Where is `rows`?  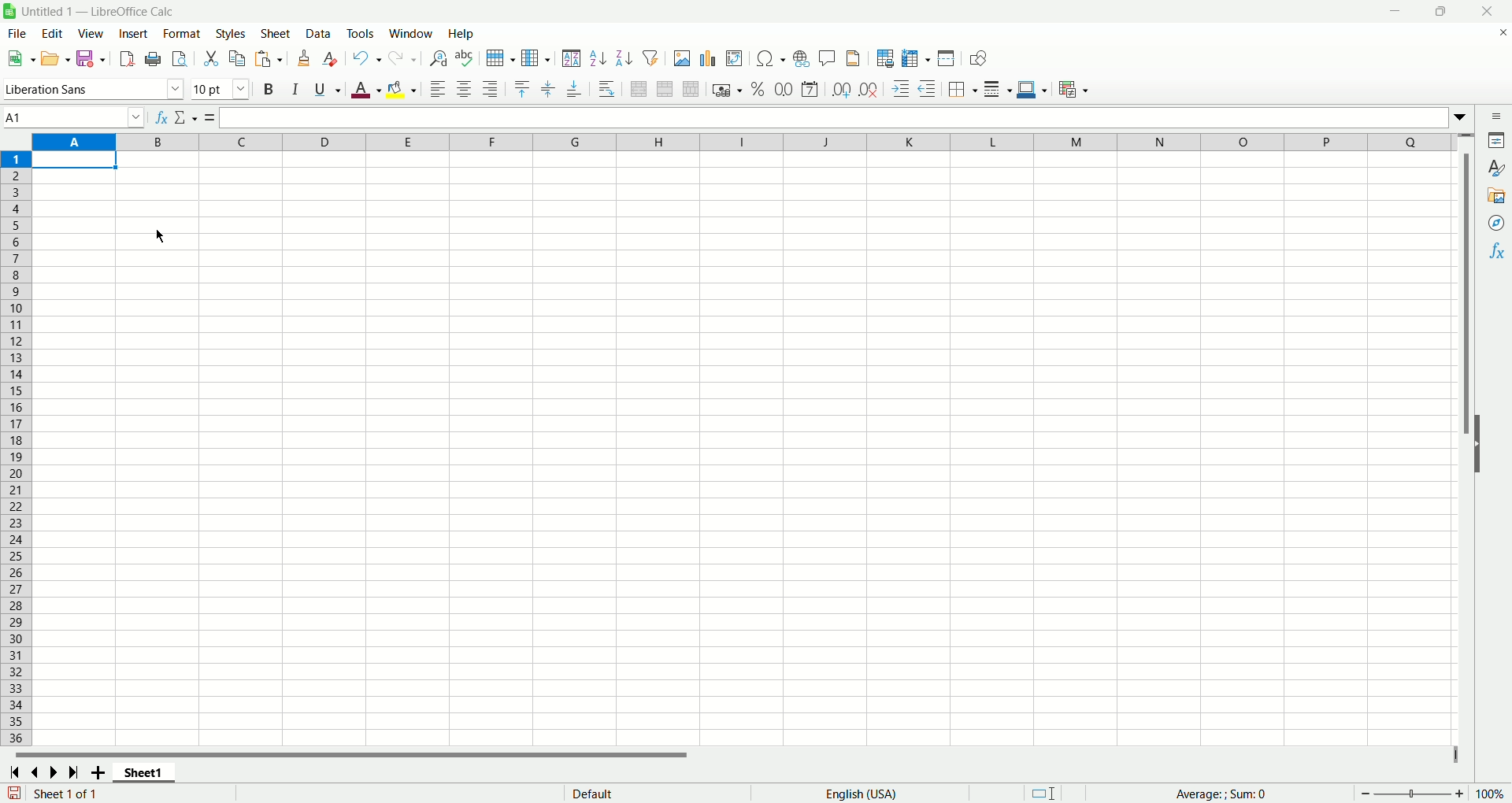 rows is located at coordinates (17, 450).